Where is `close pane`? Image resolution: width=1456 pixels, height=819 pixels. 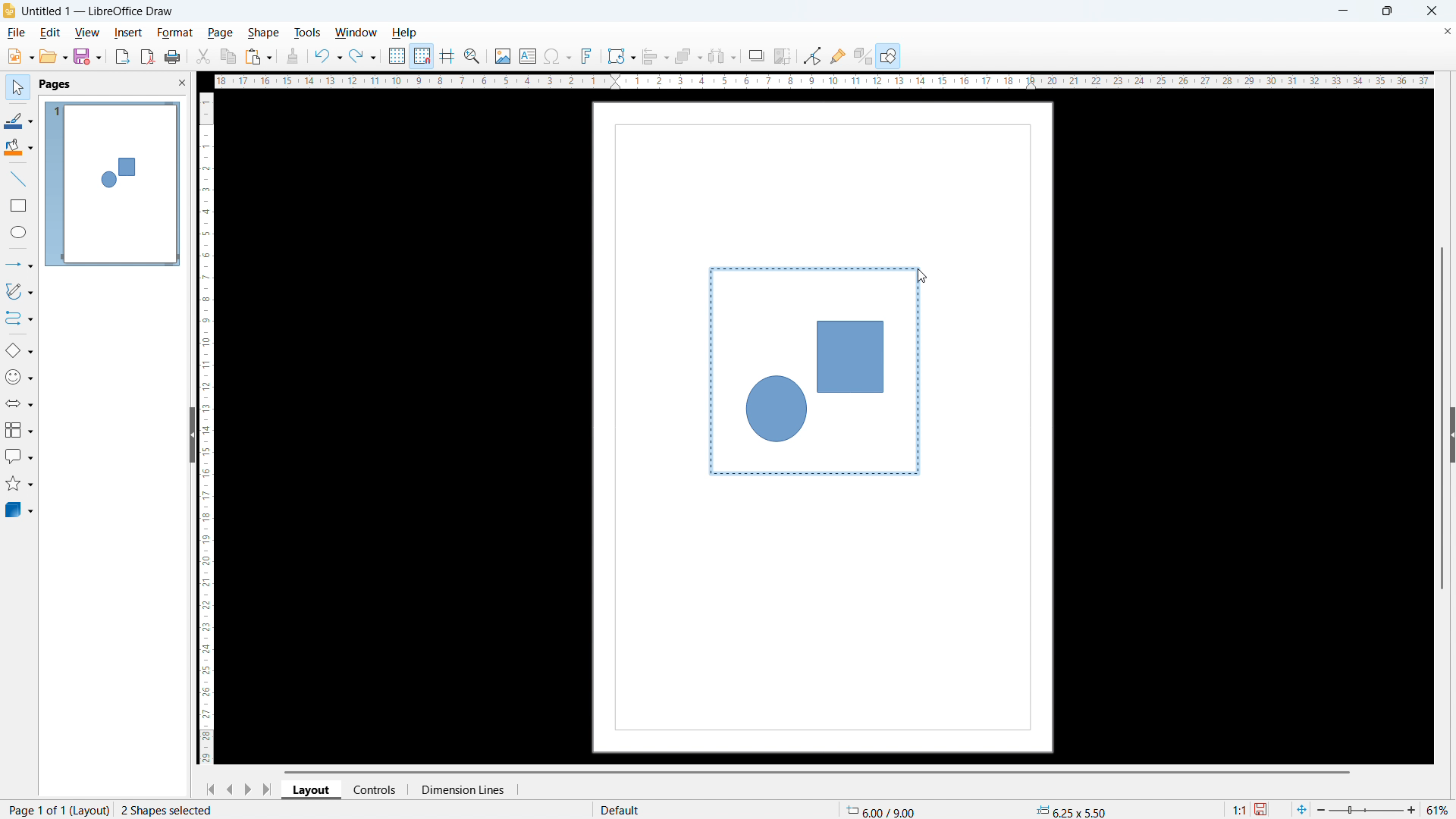 close pane is located at coordinates (181, 83).